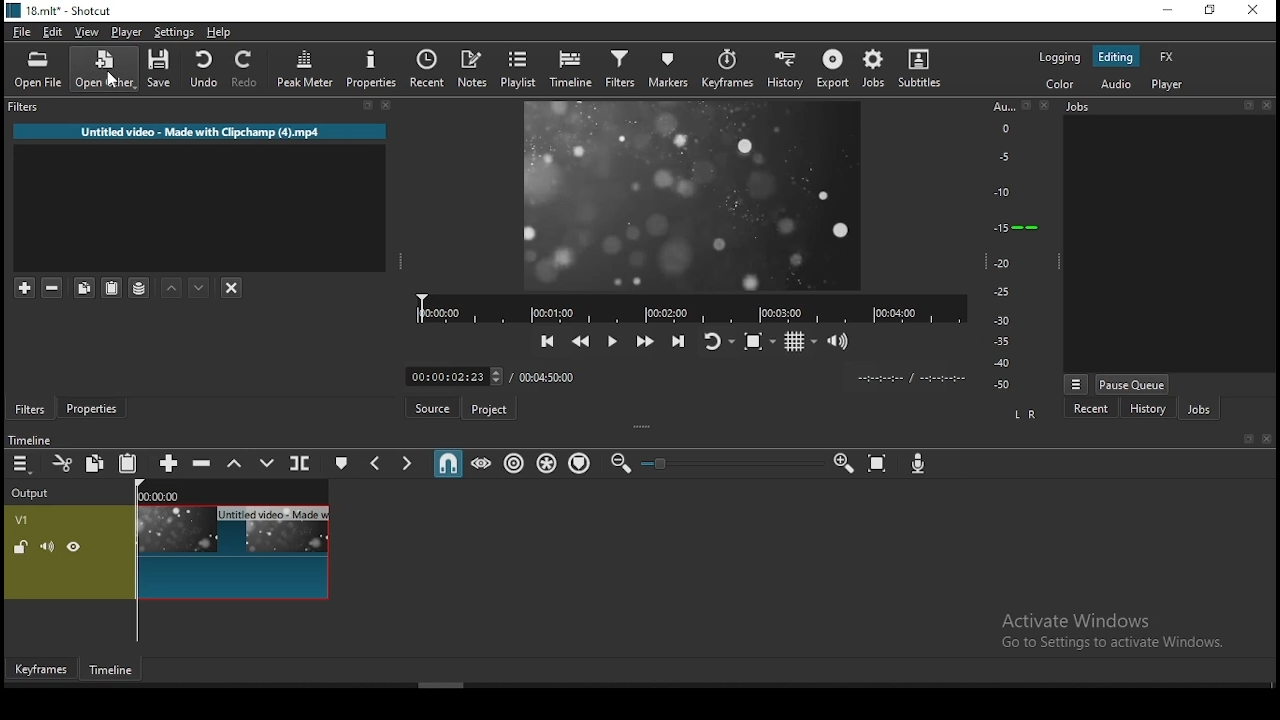  Describe the element at coordinates (621, 464) in the screenshot. I see `zoom timeline out` at that location.